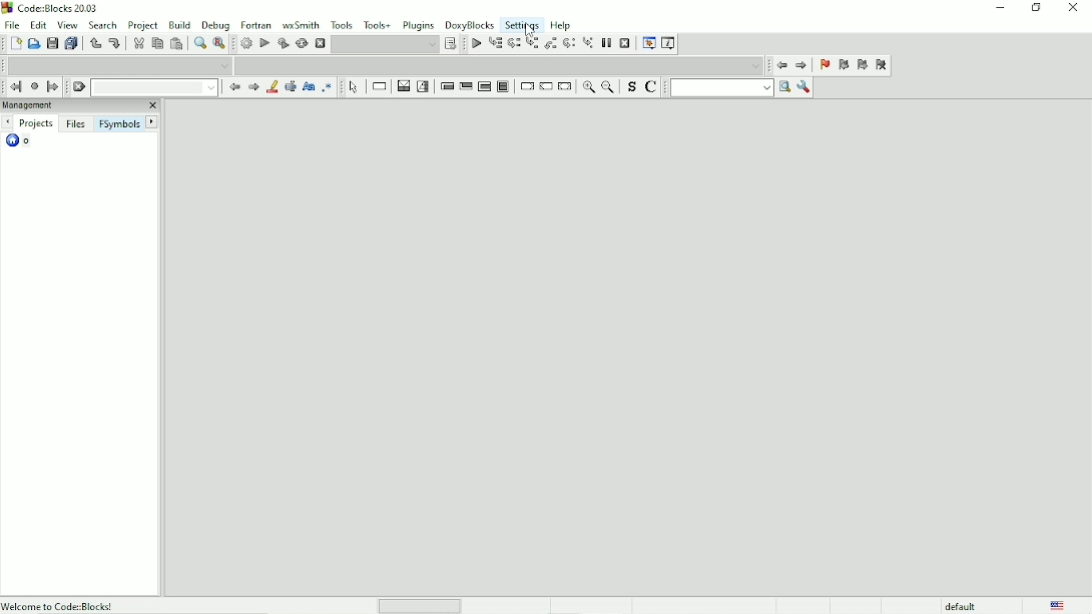  I want to click on Break debugger, so click(606, 44).